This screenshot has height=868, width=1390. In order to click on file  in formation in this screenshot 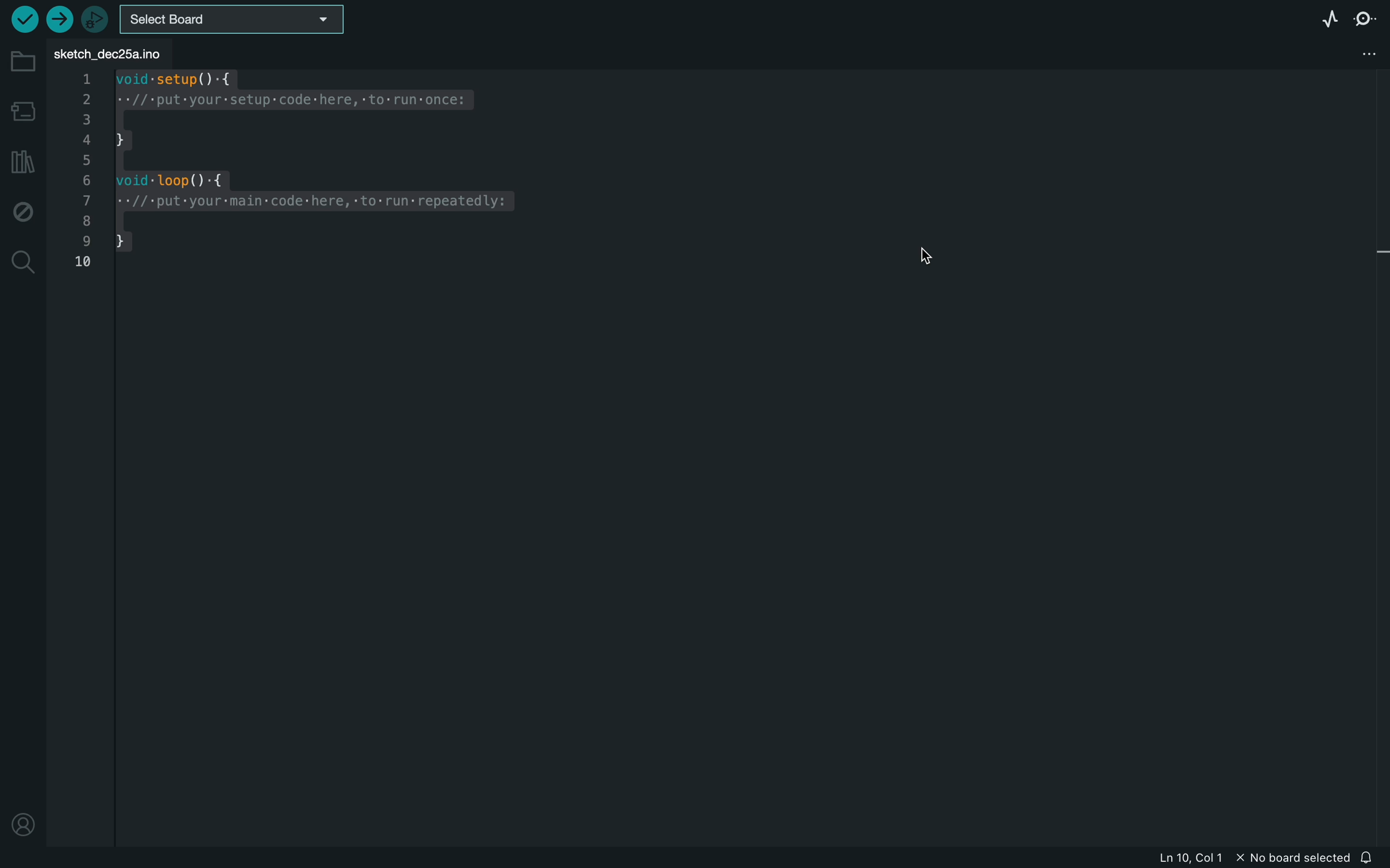, I will do `click(1239, 856)`.